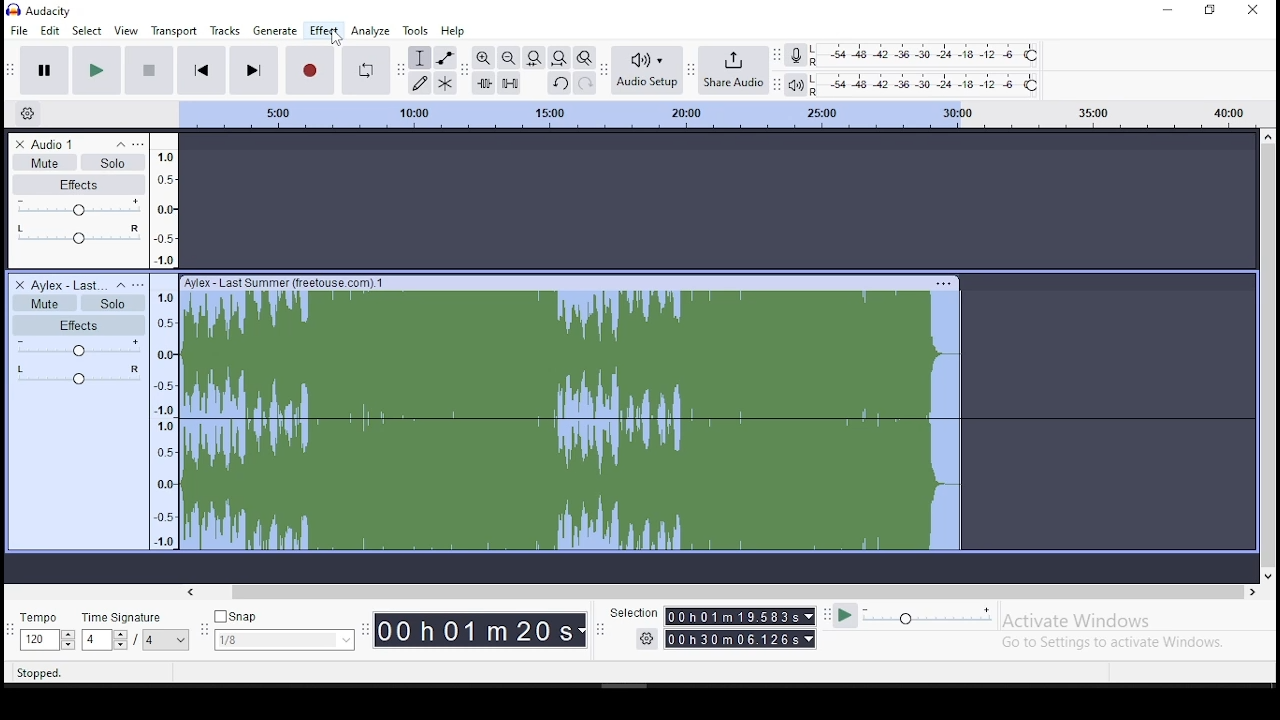 The image size is (1280, 720). Describe the element at coordinates (736, 68) in the screenshot. I see `share audio` at that location.